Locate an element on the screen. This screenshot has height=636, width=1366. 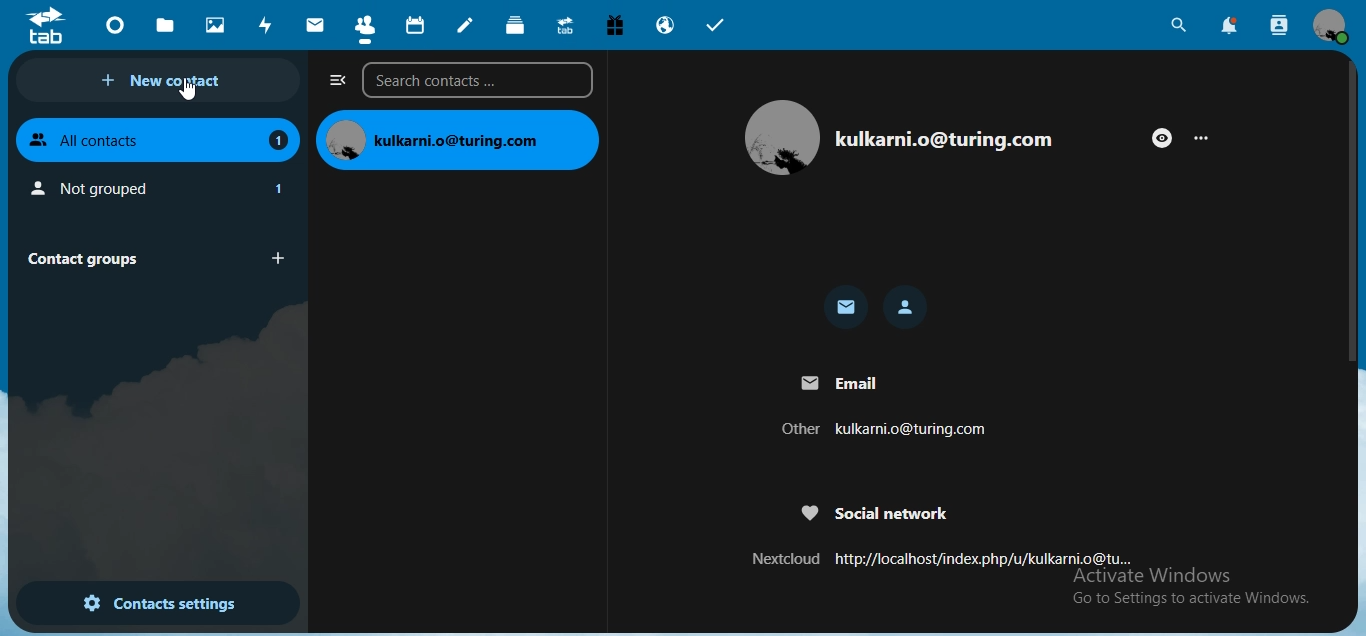
view profile is located at coordinates (1335, 27).